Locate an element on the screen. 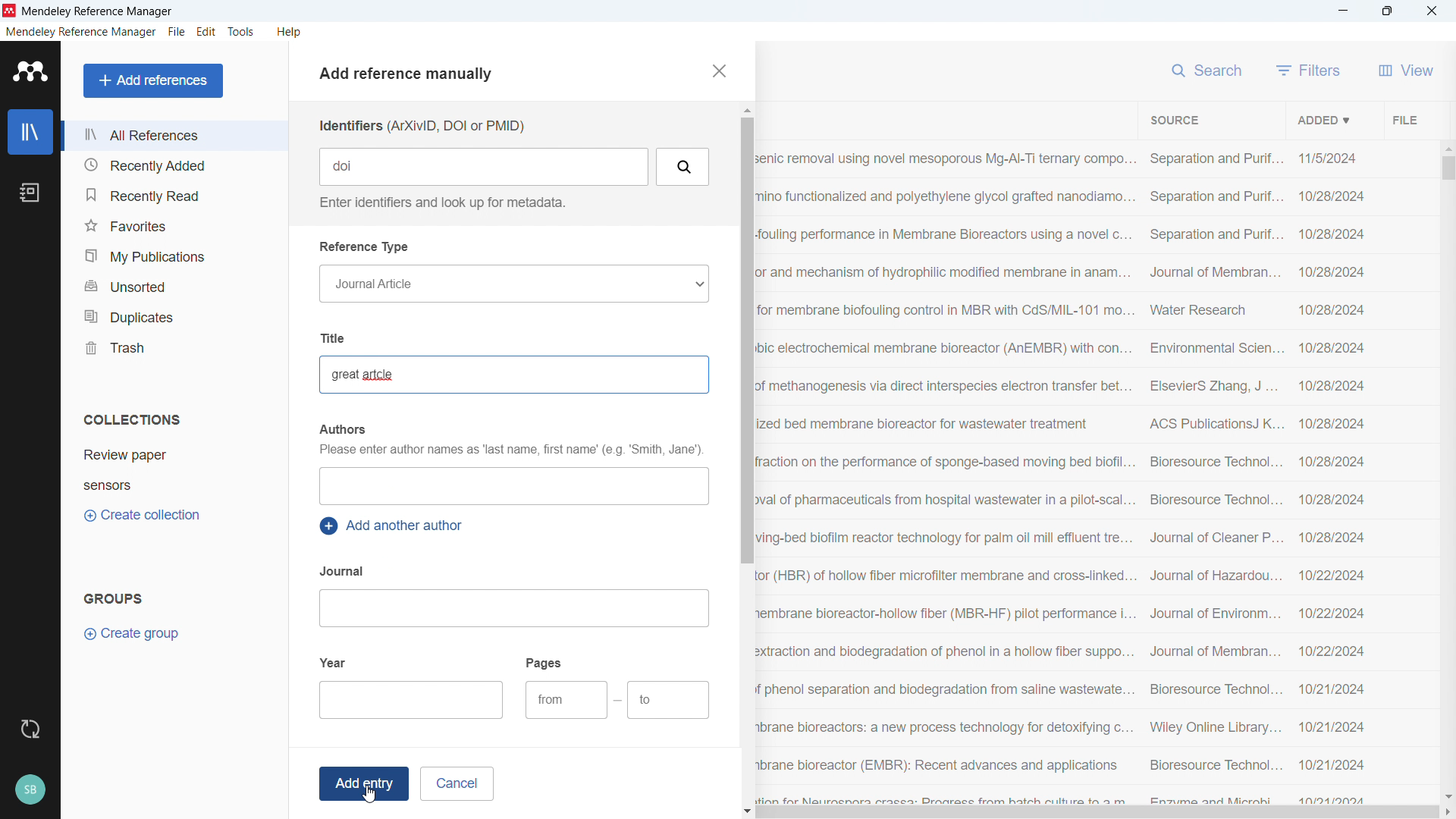 The width and height of the screenshot is (1456, 819). Starting page  is located at coordinates (566, 700).